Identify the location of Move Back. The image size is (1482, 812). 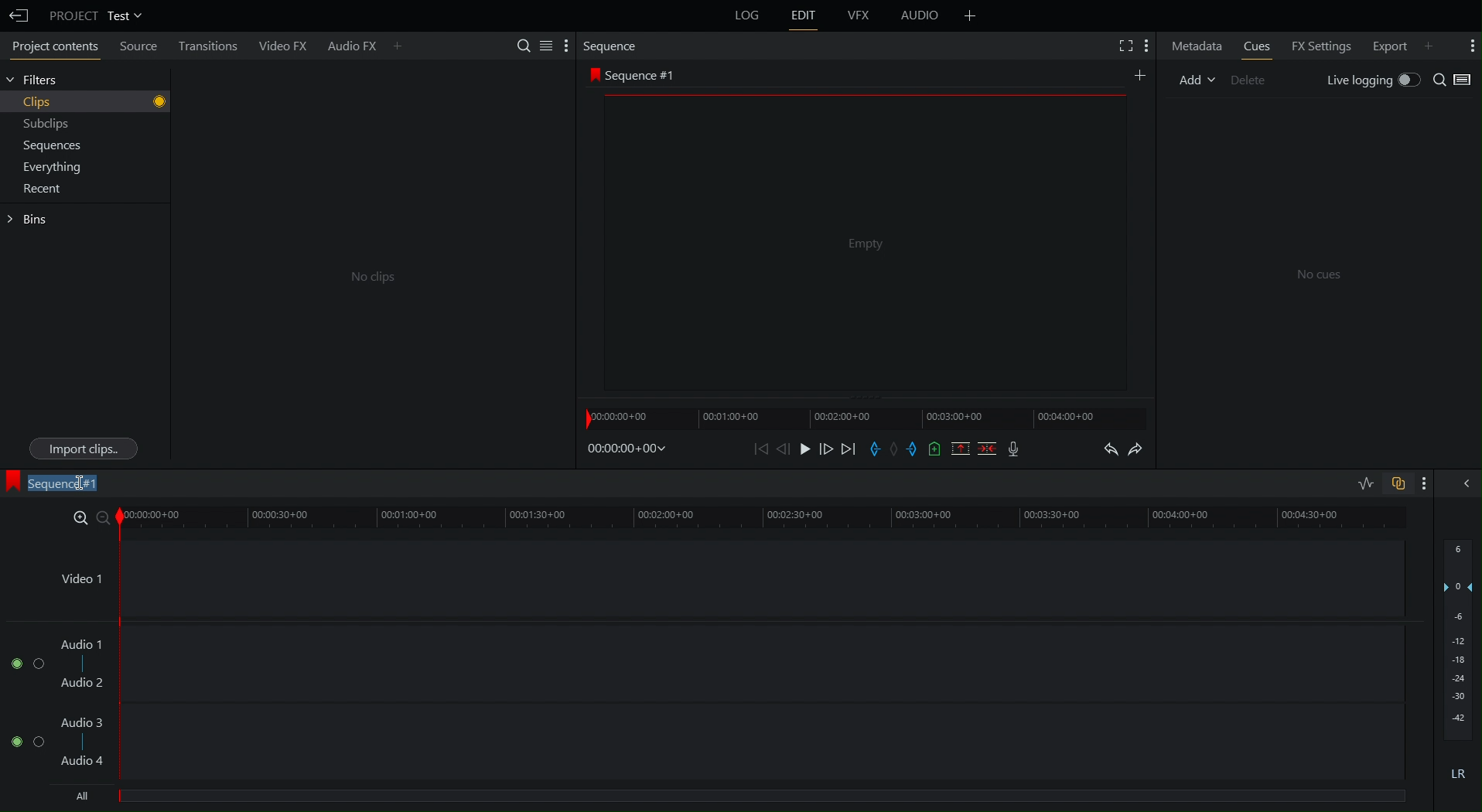
(784, 449).